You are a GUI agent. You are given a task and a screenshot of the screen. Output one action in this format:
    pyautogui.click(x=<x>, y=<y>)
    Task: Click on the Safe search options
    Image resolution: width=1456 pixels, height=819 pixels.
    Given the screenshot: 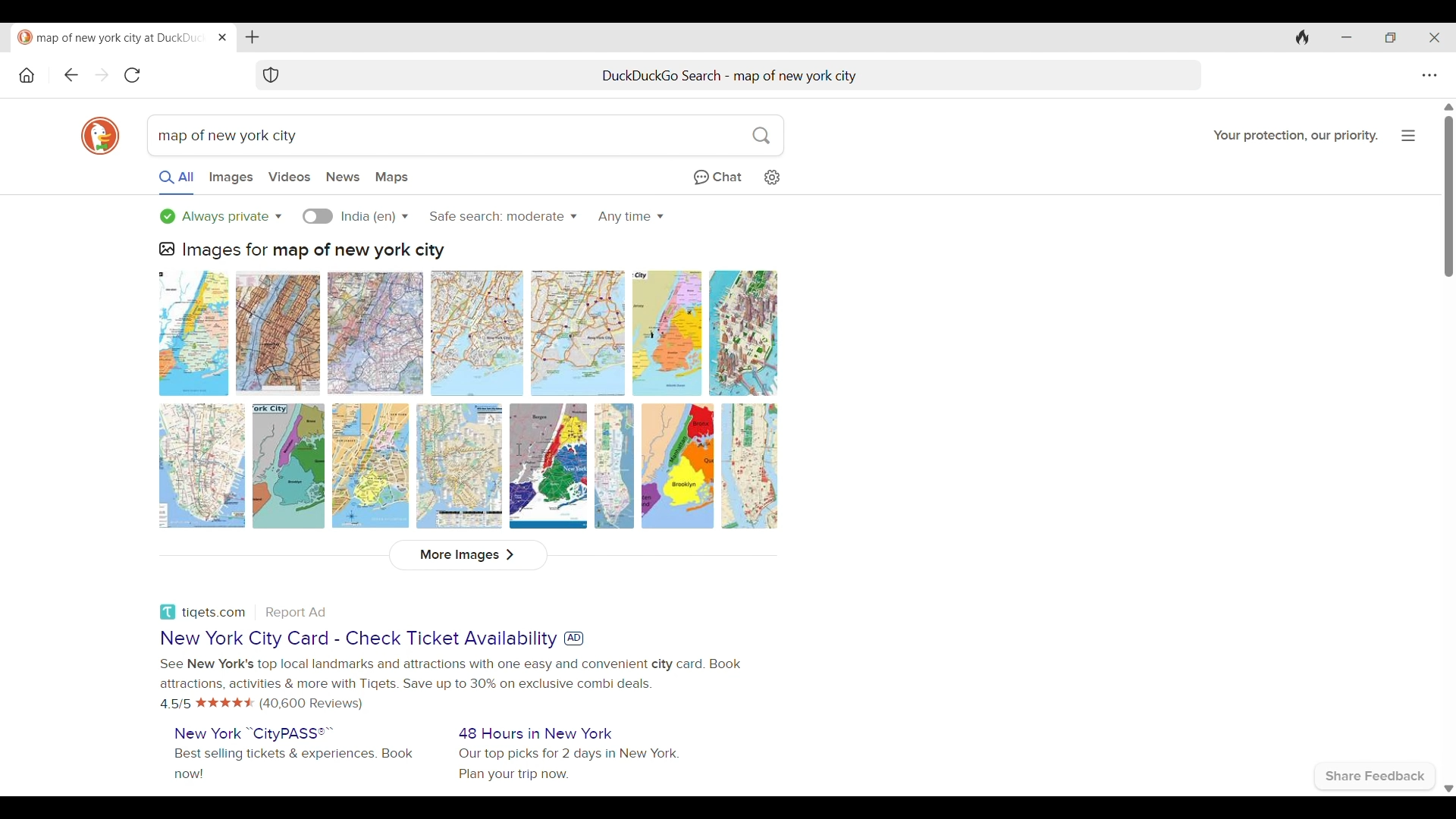 What is the action you would take?
    pyautogui.click(x=502, y=215)
    